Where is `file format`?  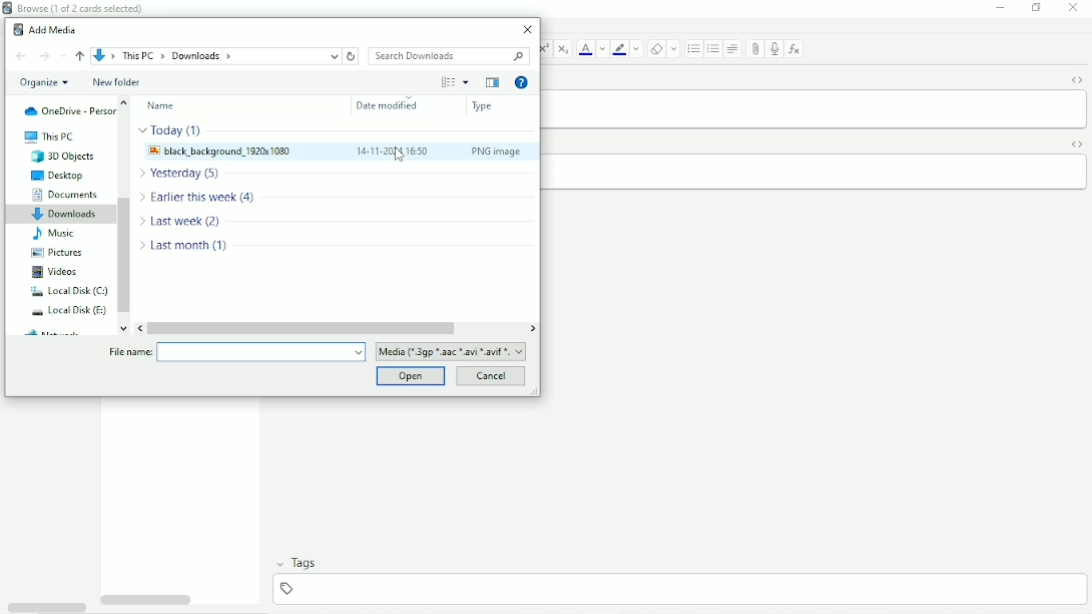 file format is located at coordinates (451, 351).